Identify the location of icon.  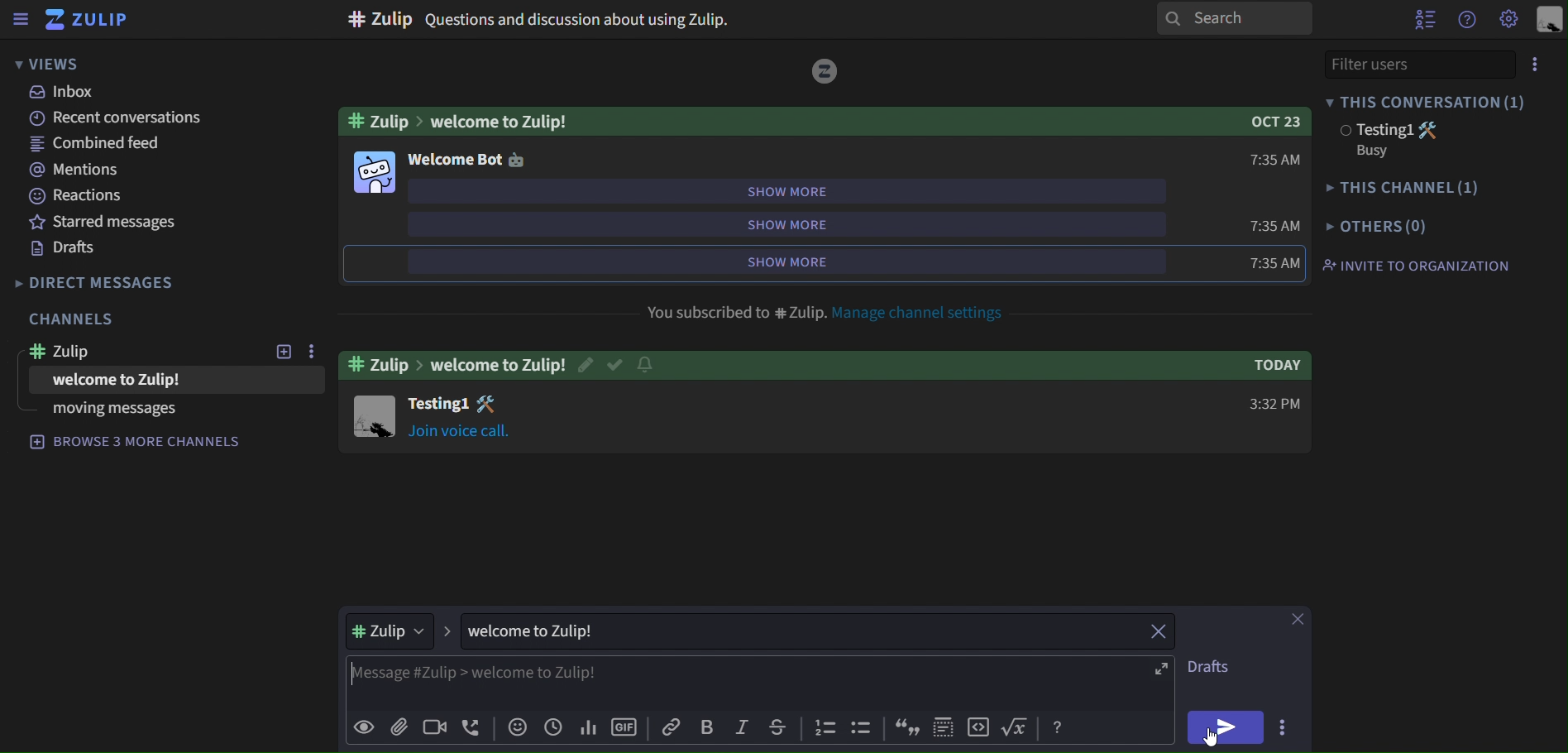
(827, 727).